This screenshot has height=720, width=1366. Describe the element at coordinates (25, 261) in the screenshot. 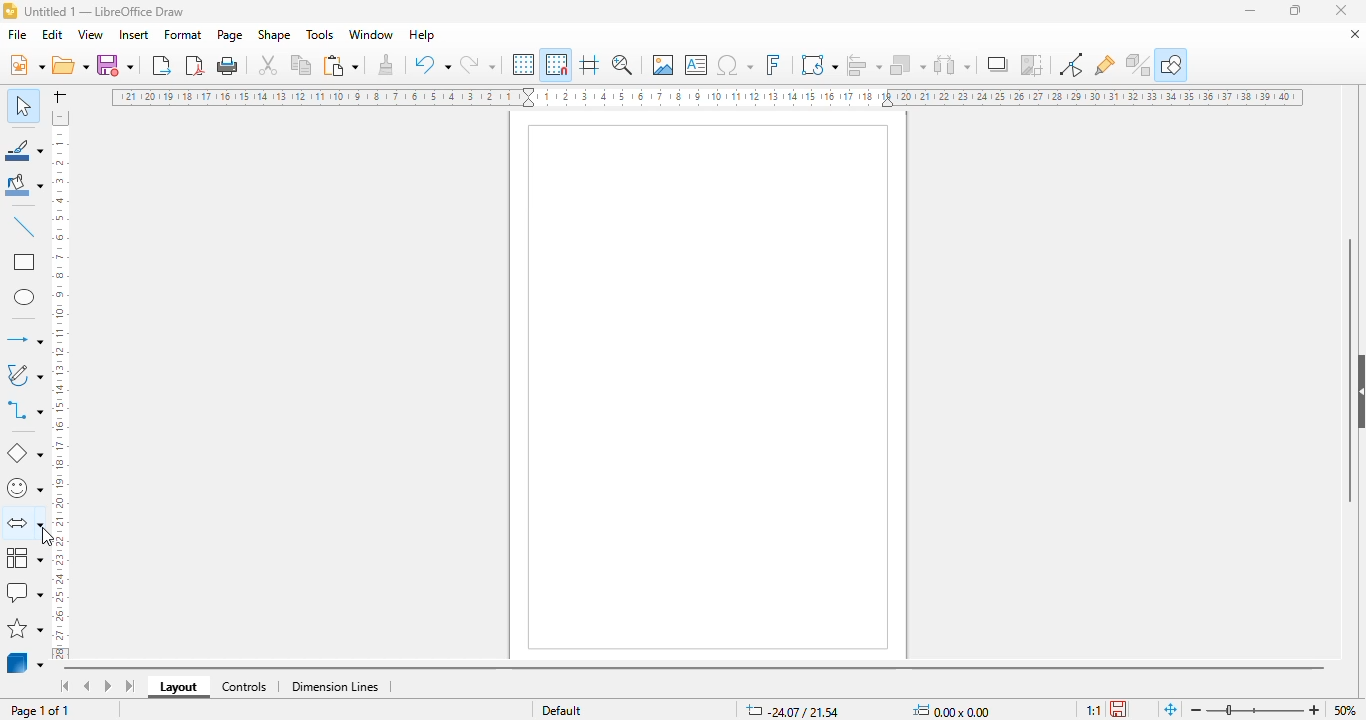

I see `rectangle` at that location.